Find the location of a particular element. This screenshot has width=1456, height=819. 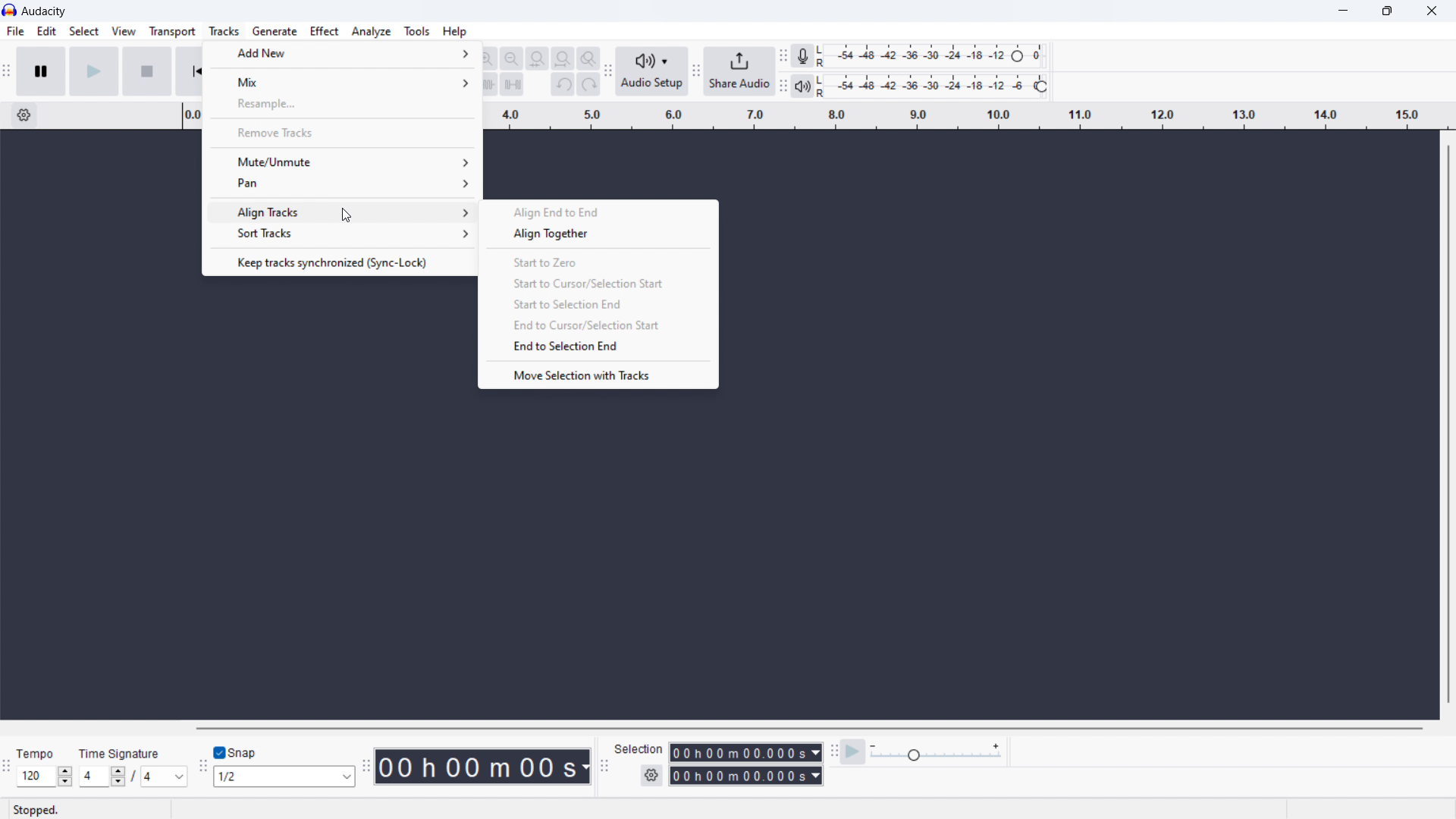

recording meter toolbar is located at coordinates (783, 56).